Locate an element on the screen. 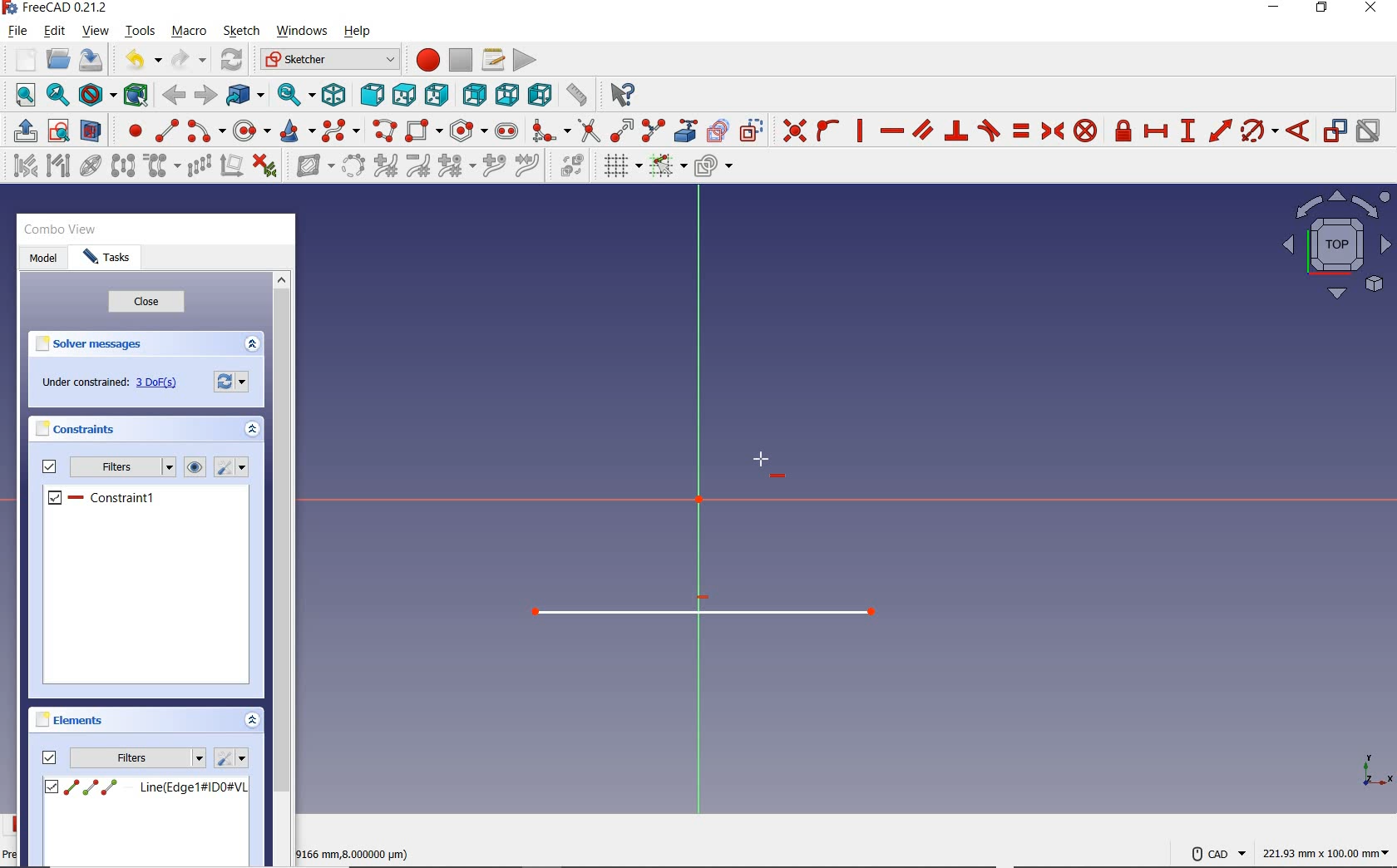 This screenshot has height=868, width=1397. HELP is located at coordinates (358, 32).